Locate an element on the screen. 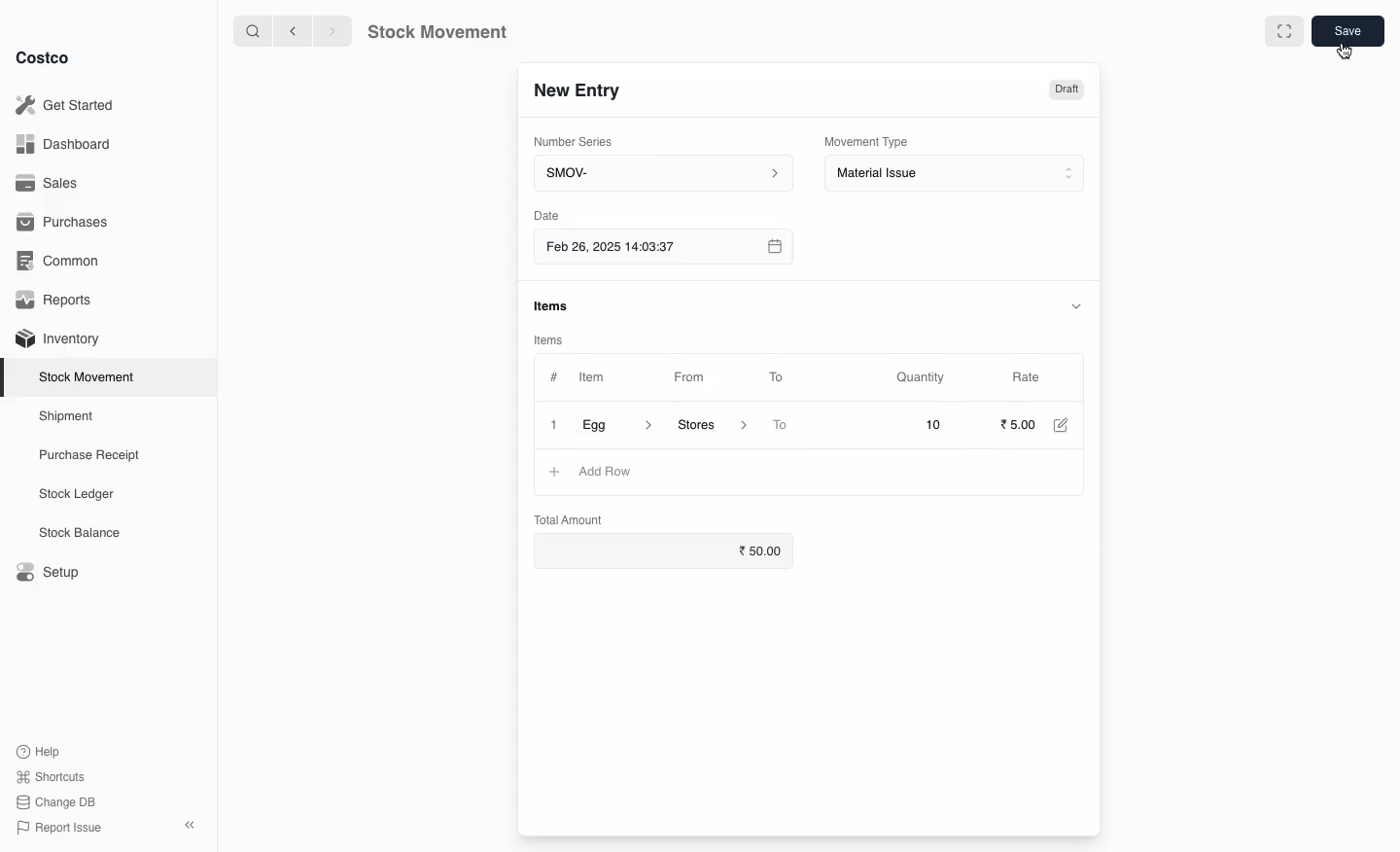 This screenshot has width=1400, height=852. Stock Balance is located at coordinates (82, 533).